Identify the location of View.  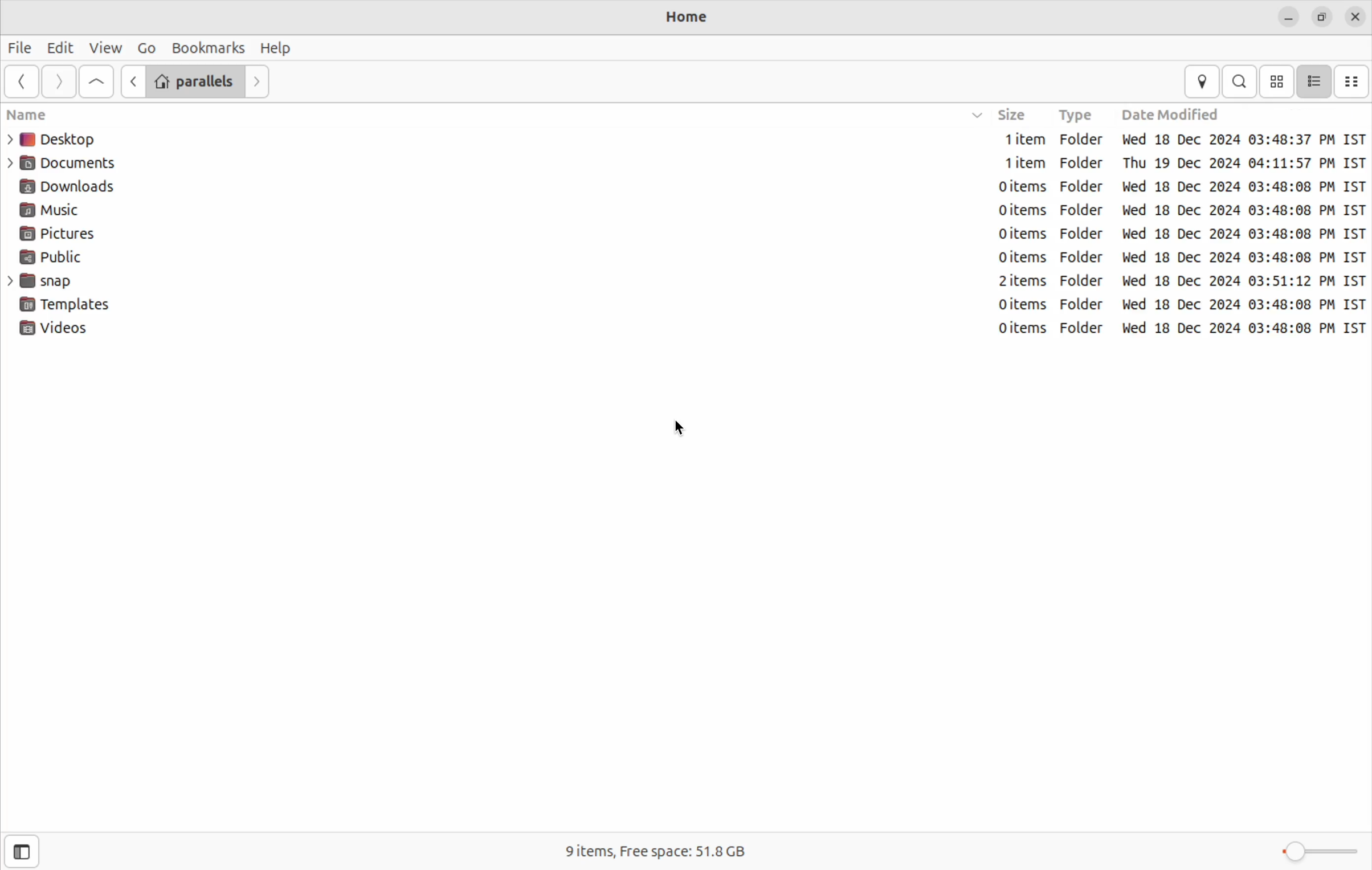
(106, 47).